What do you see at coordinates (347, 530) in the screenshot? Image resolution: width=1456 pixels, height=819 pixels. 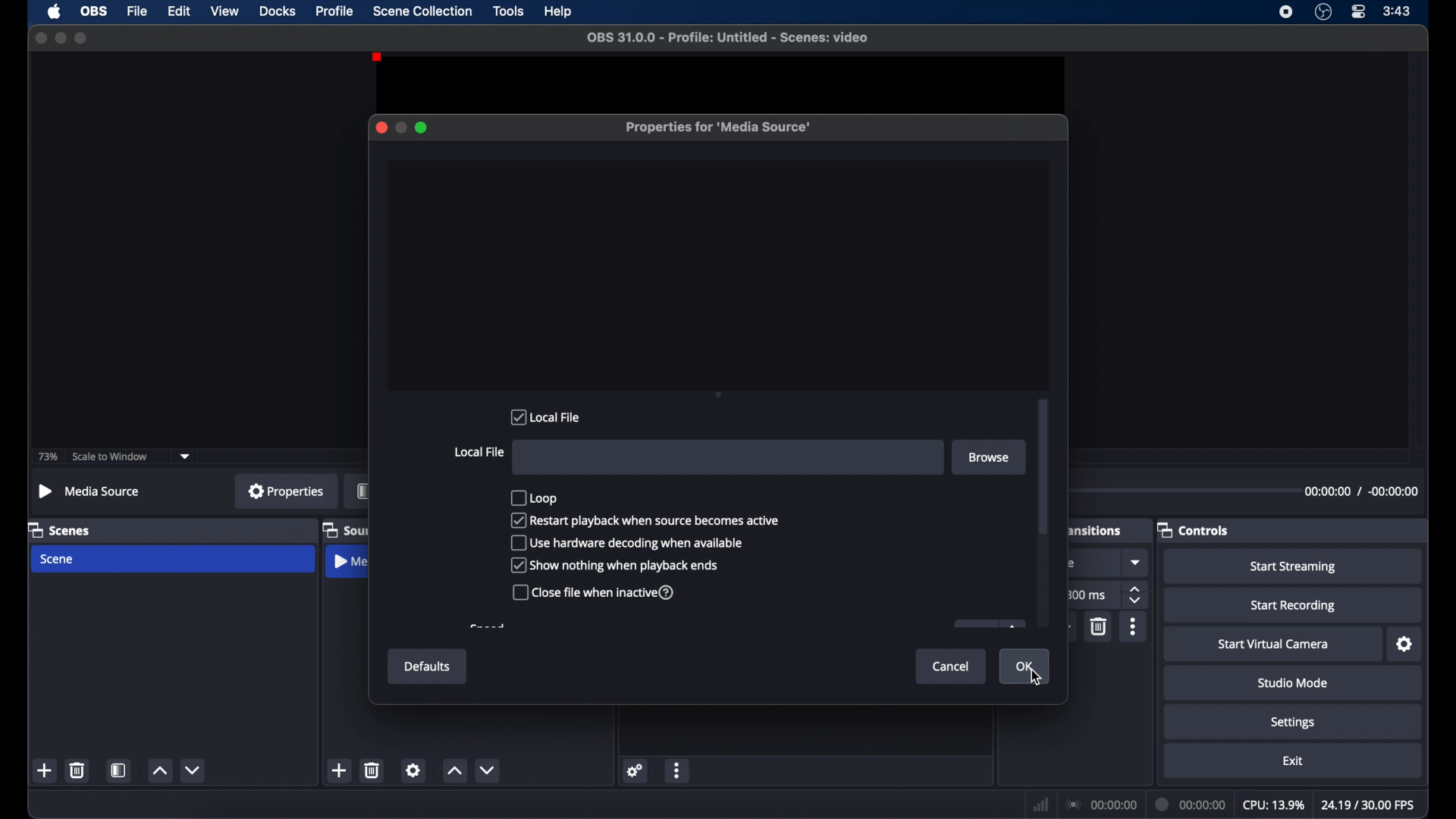 I see `Source` at bounding box center [347, 530].